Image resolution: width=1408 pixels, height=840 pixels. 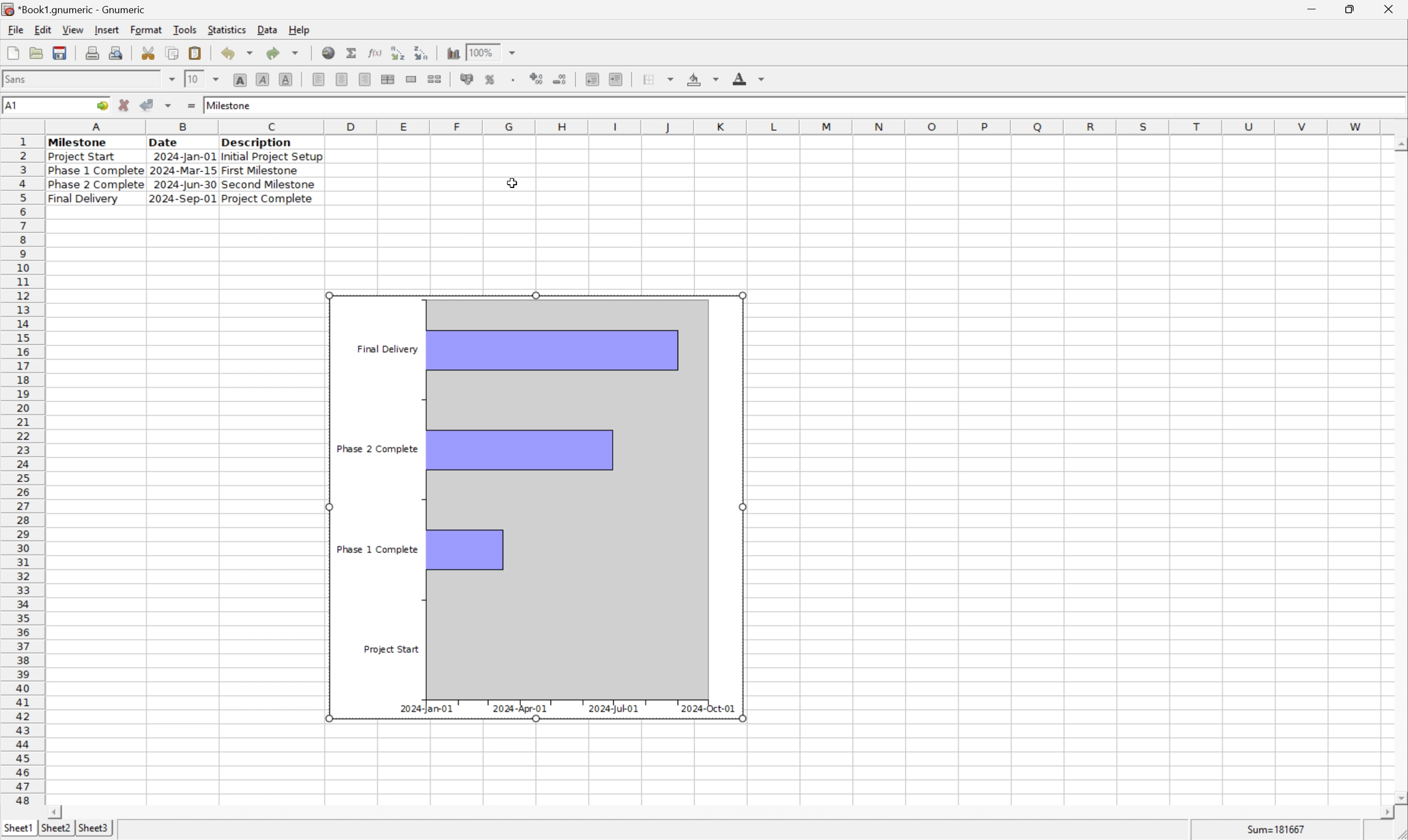 What do you see at coordinates (592, 80) in the screenshot?
I see `decrease indent` at bounding box center [592, 80].